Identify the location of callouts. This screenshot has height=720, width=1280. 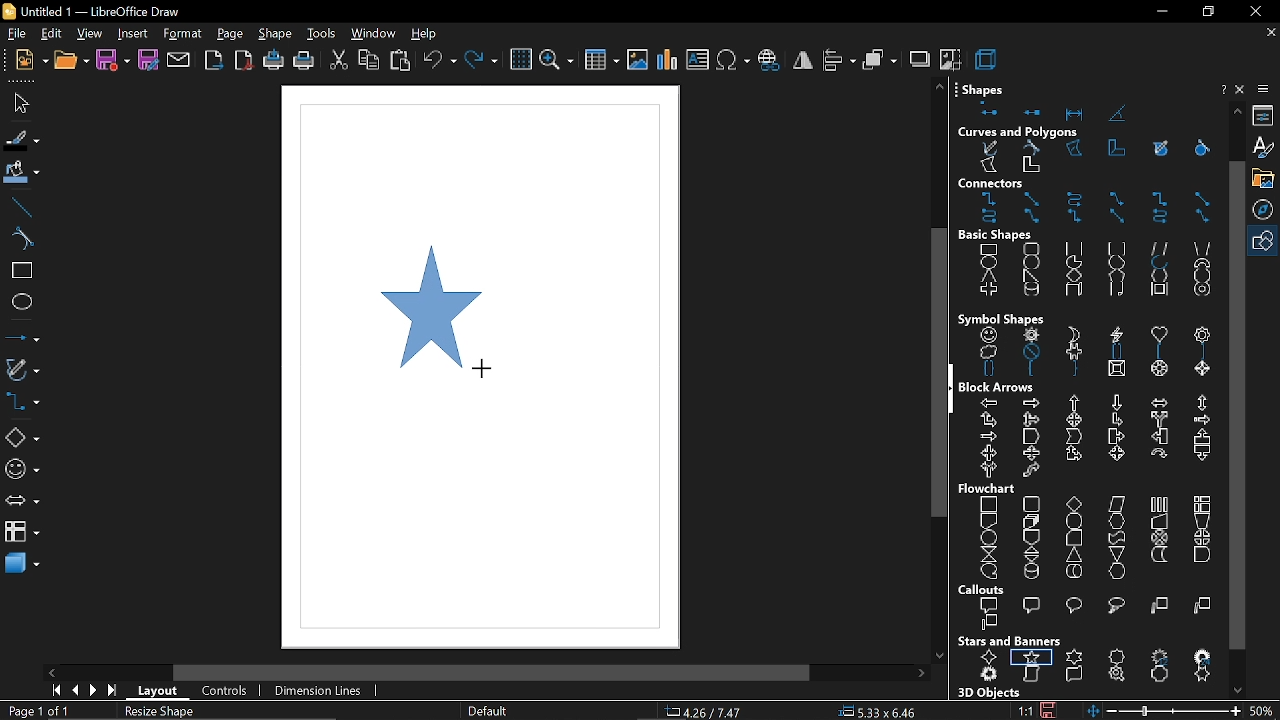
(983, 589).